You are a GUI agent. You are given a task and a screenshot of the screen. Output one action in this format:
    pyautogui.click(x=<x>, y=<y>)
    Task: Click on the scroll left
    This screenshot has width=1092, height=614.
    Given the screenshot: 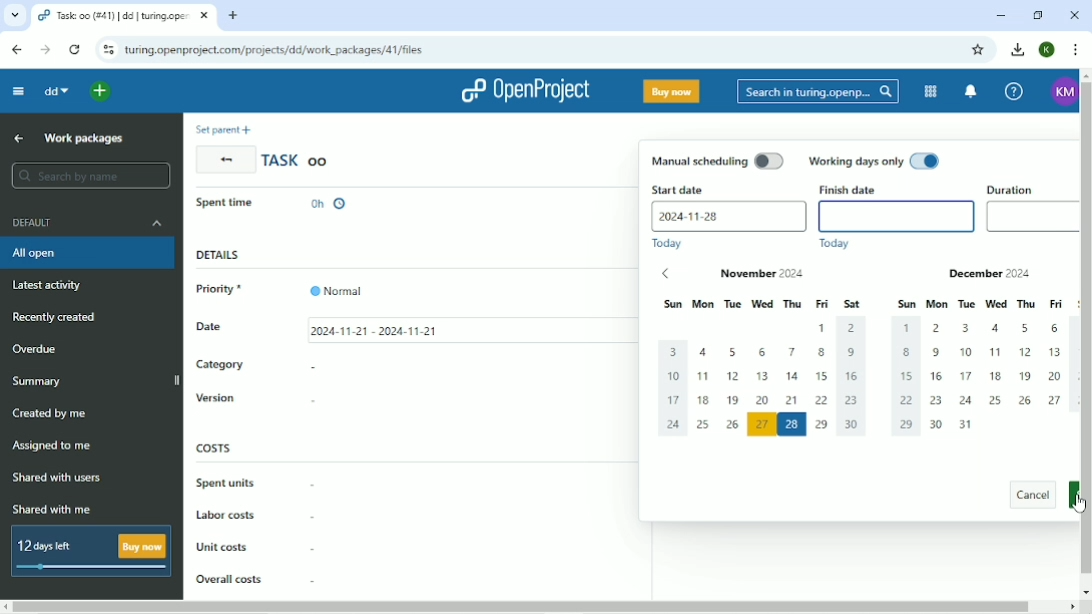 What is the action you would take?
    pyautogui.click(x=7, y=607)
    